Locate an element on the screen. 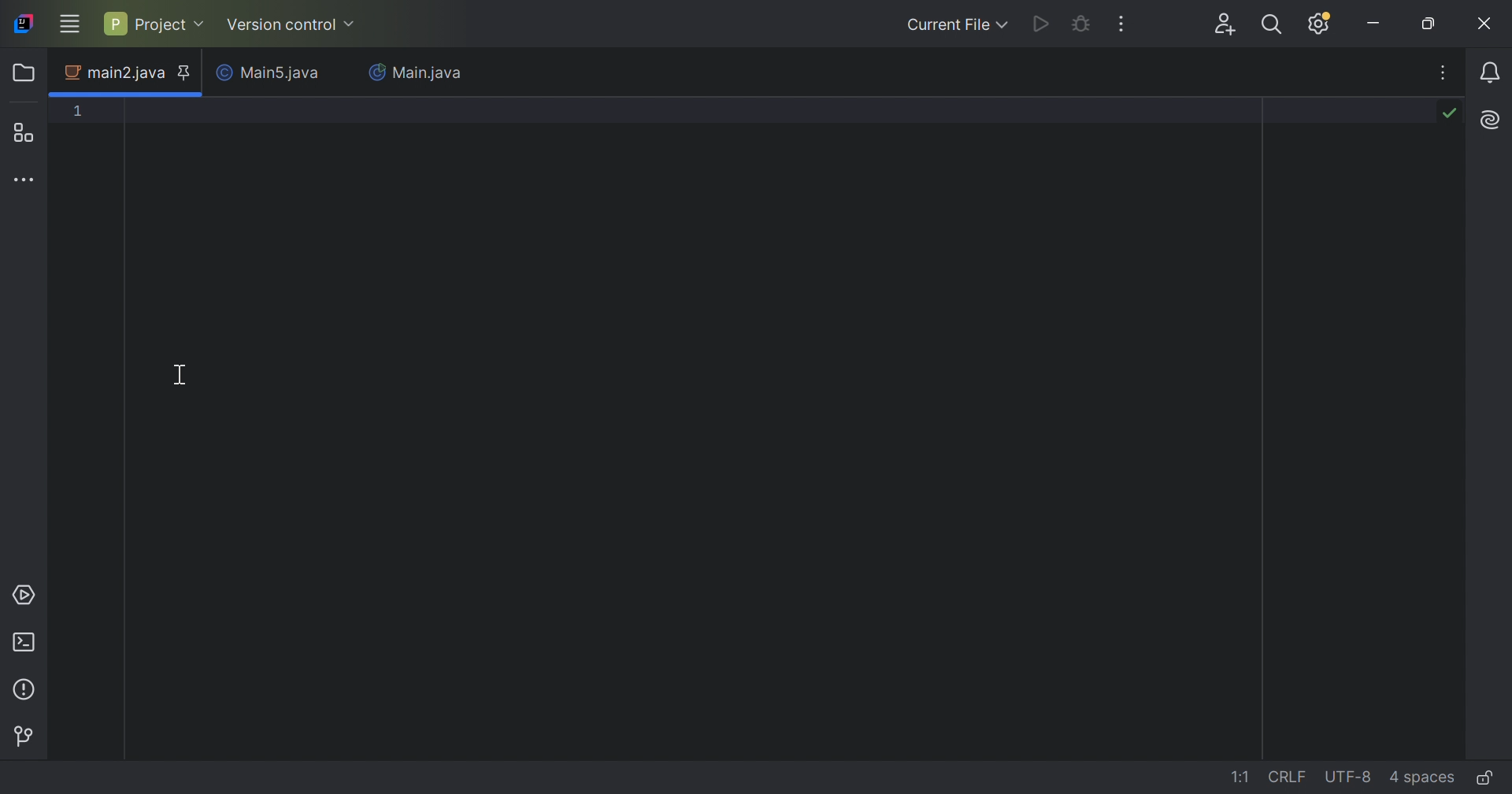   is located at coordinates (23, 736).